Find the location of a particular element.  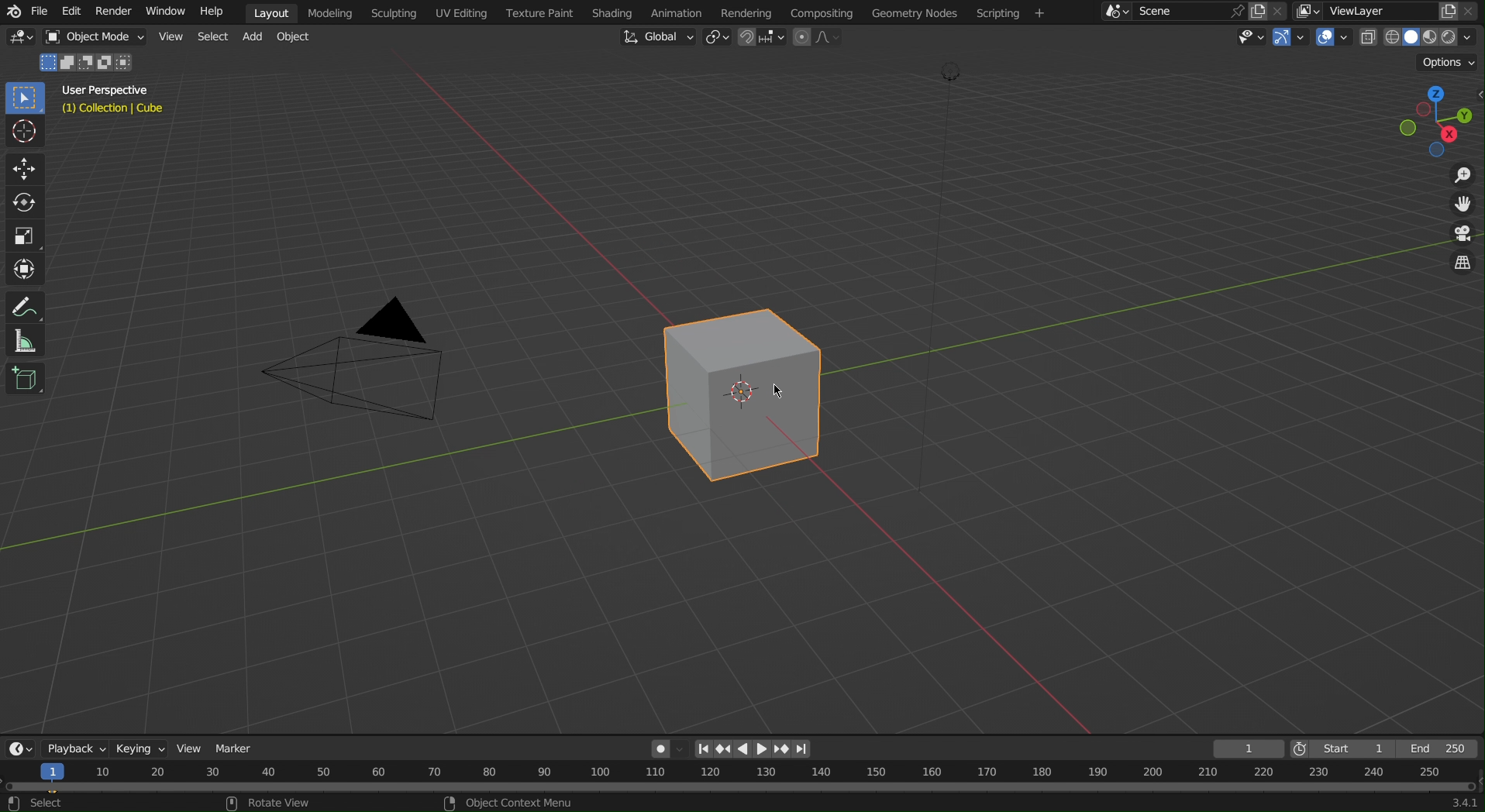

Blend logo is located at coordinates (11, 12).